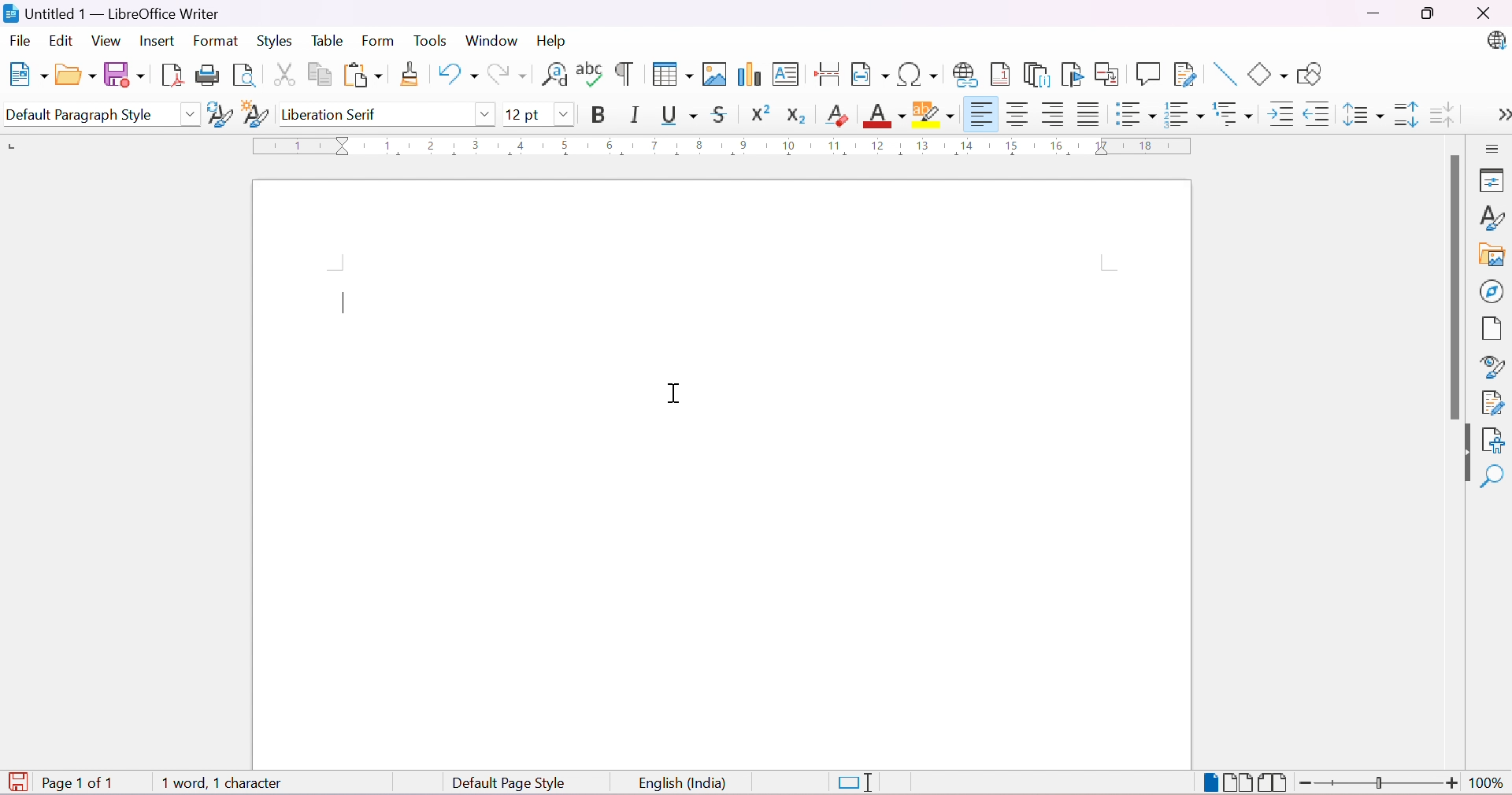 Image resolution: width=1512 pixels, height=795 pixels. What do you see at coordinates (882, 115) in the screenshot?
I see `Font Color` at bounding box center [882, 115].